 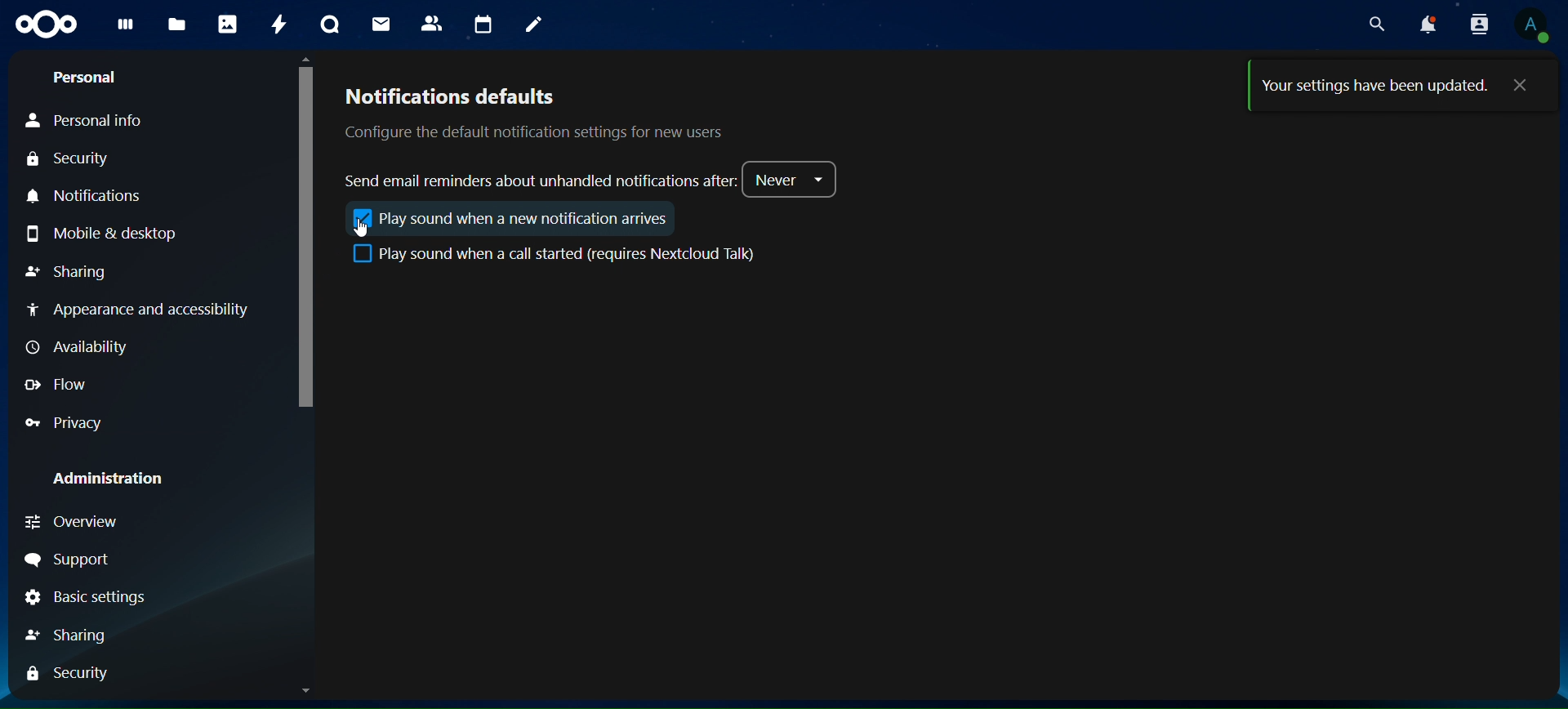 What do you see at coordinates (1534, 25) in the screenshot?
I see `View Profile` at bounding box center [1534, 25].